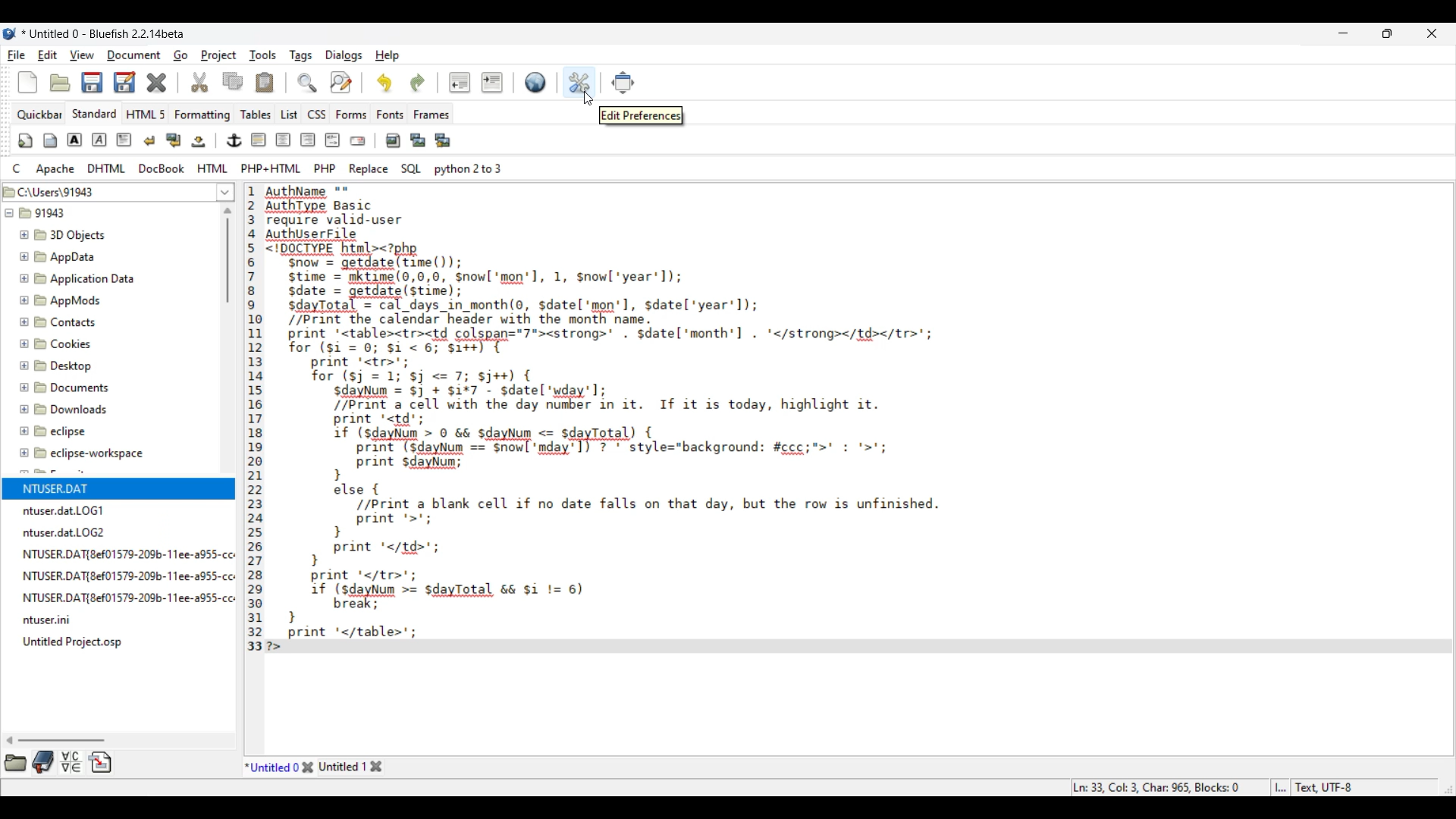  What do you see at coordinates (254, 168) in the screenshot?
I see `Code alnguage options` at bounding box center [254, 168].